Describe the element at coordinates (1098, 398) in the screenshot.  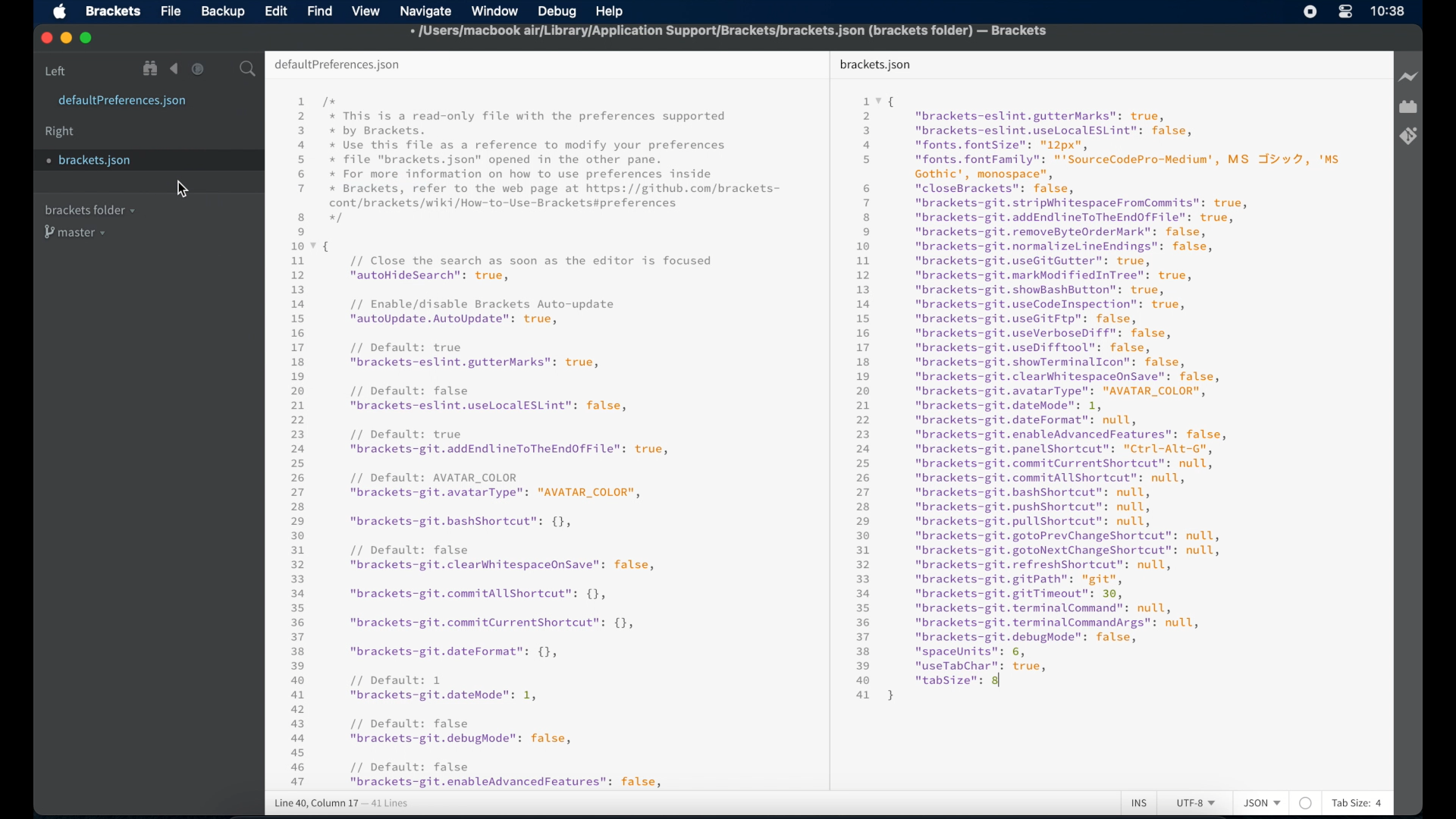
I see `json syntax` at that location.